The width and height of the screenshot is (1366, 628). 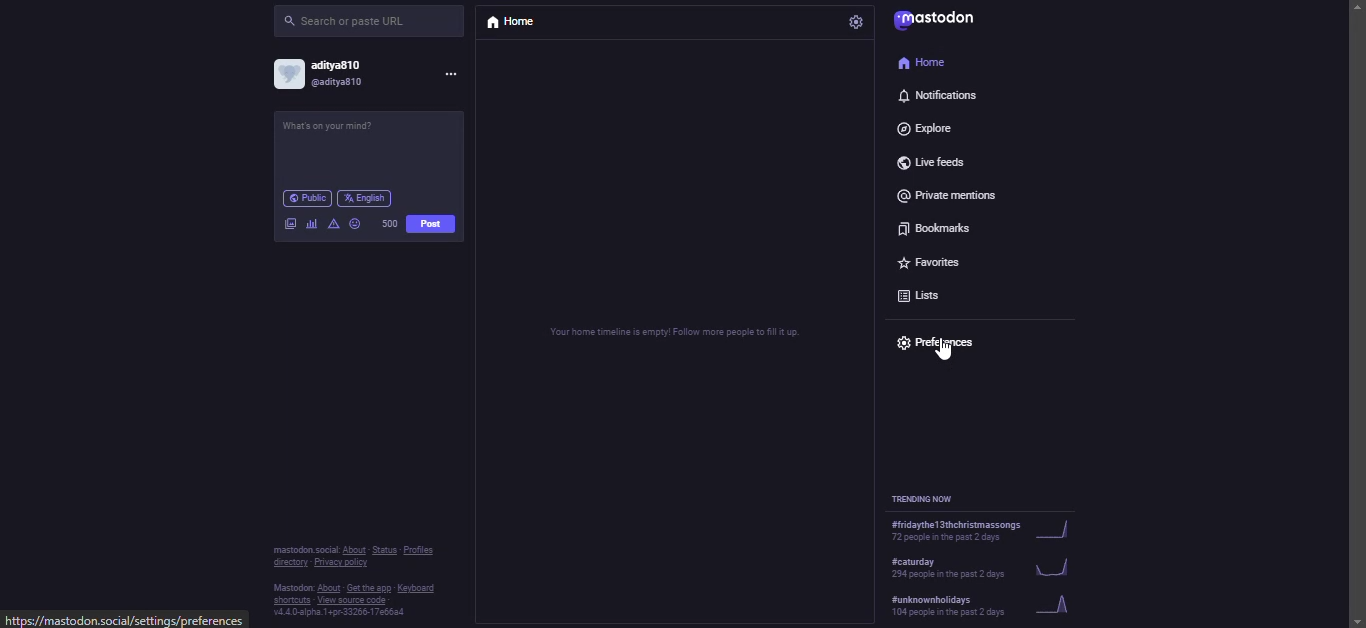 What do you see at coordinates (956, 192) in the screenshot?
I see `private mentions` at bounding box center [956, 192].